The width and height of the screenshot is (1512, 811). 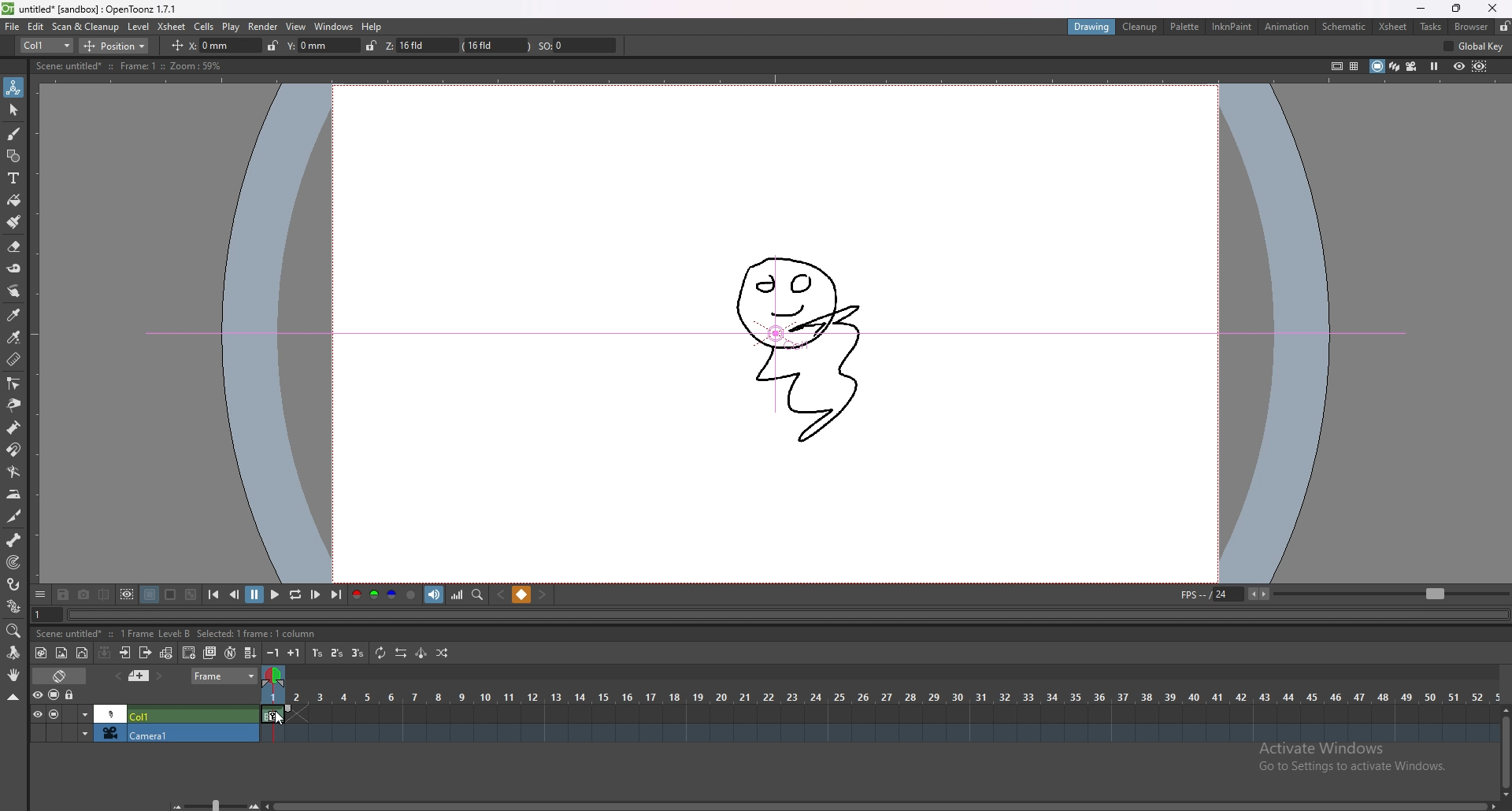 I want to click on set key, so click(x=523, y=594).